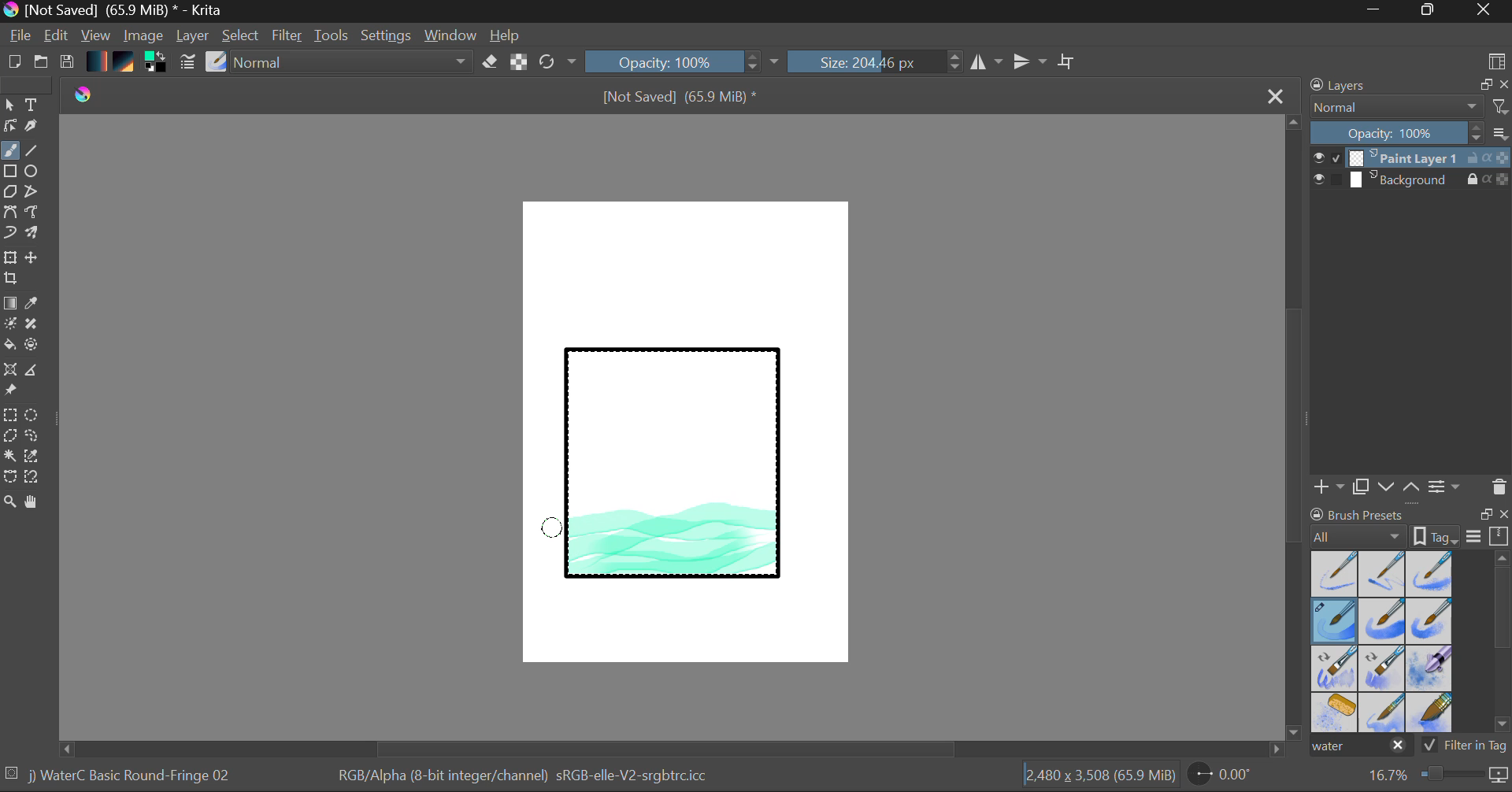  What do you see at coordinates (1099, 778) in the screenshot?
I see `Document Dimensions` at bounding box center [1099, 778].